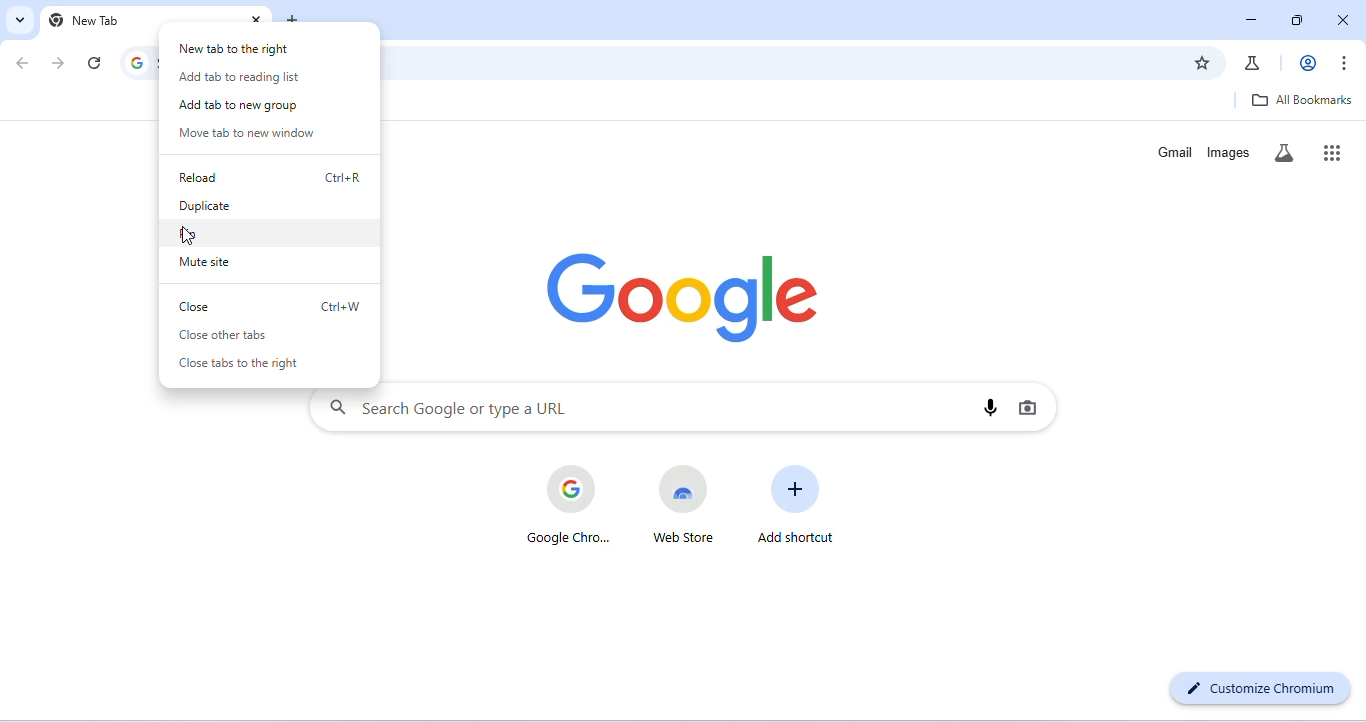  What do you see at coordinates (269, 305) in the screenshot?
I see `close` at bounding box center [269, 305].